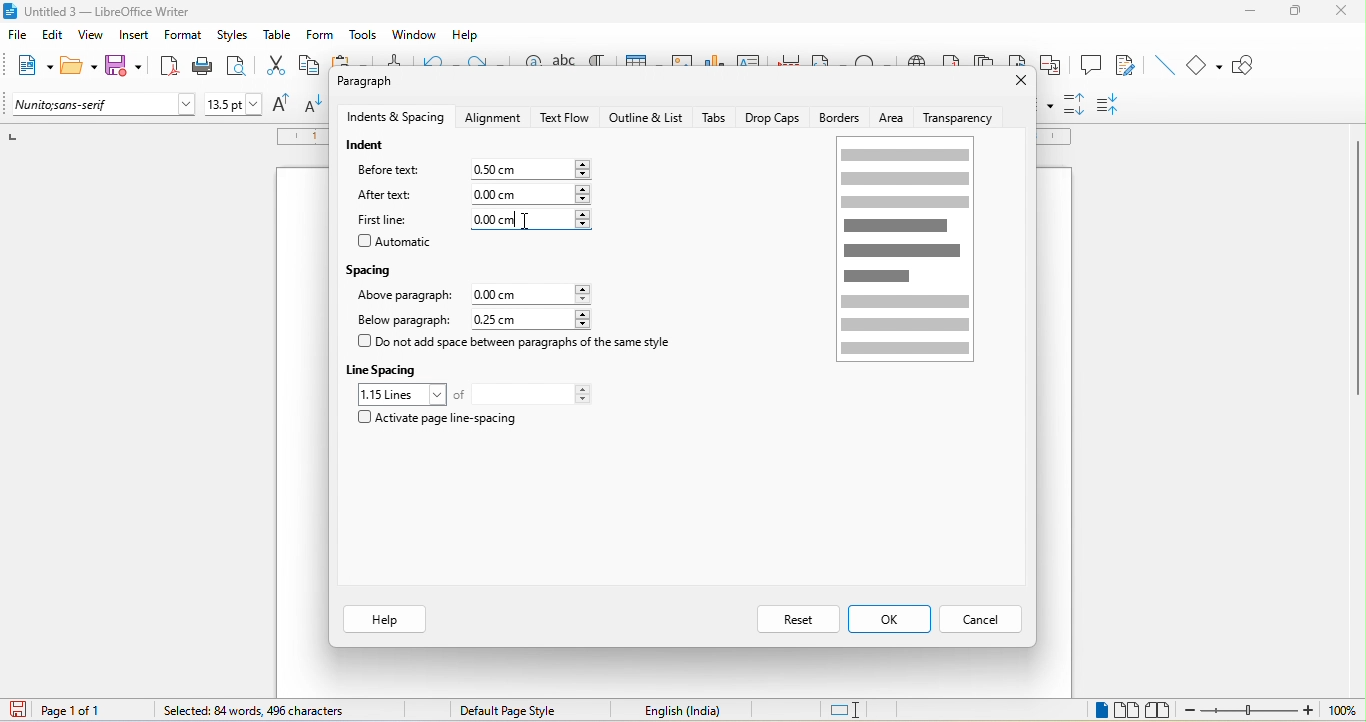 This screenshot has width=1366, height=722. Describe the element at coordinates (583, 220) in the screenshot. I see `increase or decrease` at that location.